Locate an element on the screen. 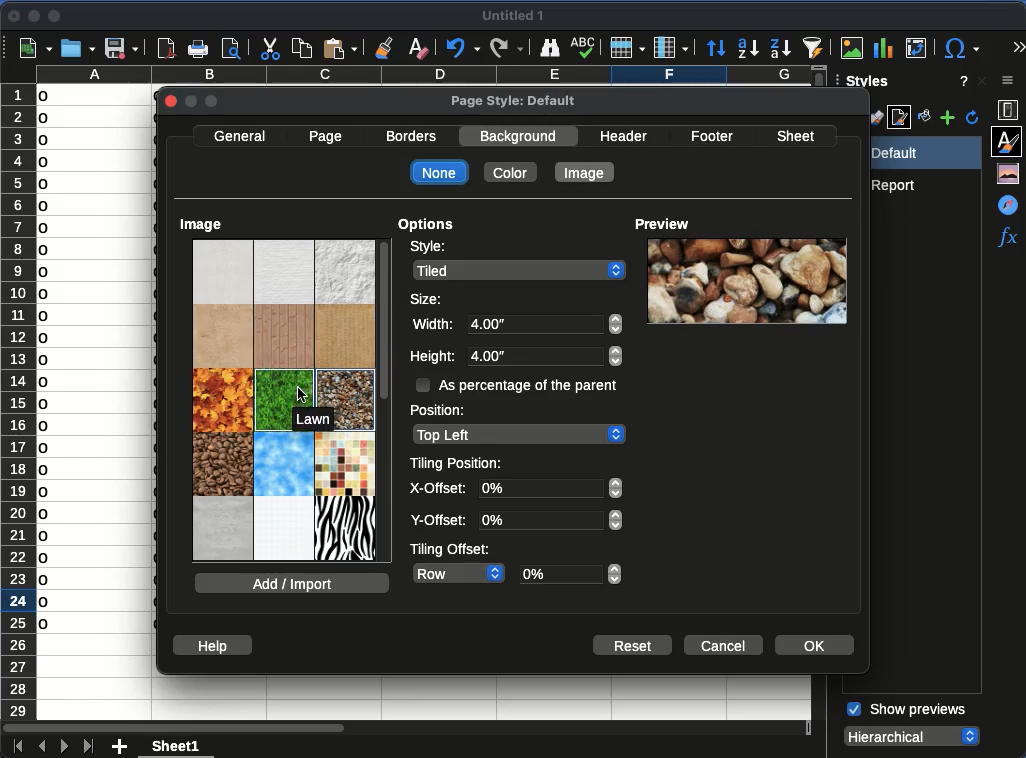 The image size is (1026, 758). styles is located at coordinates (865, 84).